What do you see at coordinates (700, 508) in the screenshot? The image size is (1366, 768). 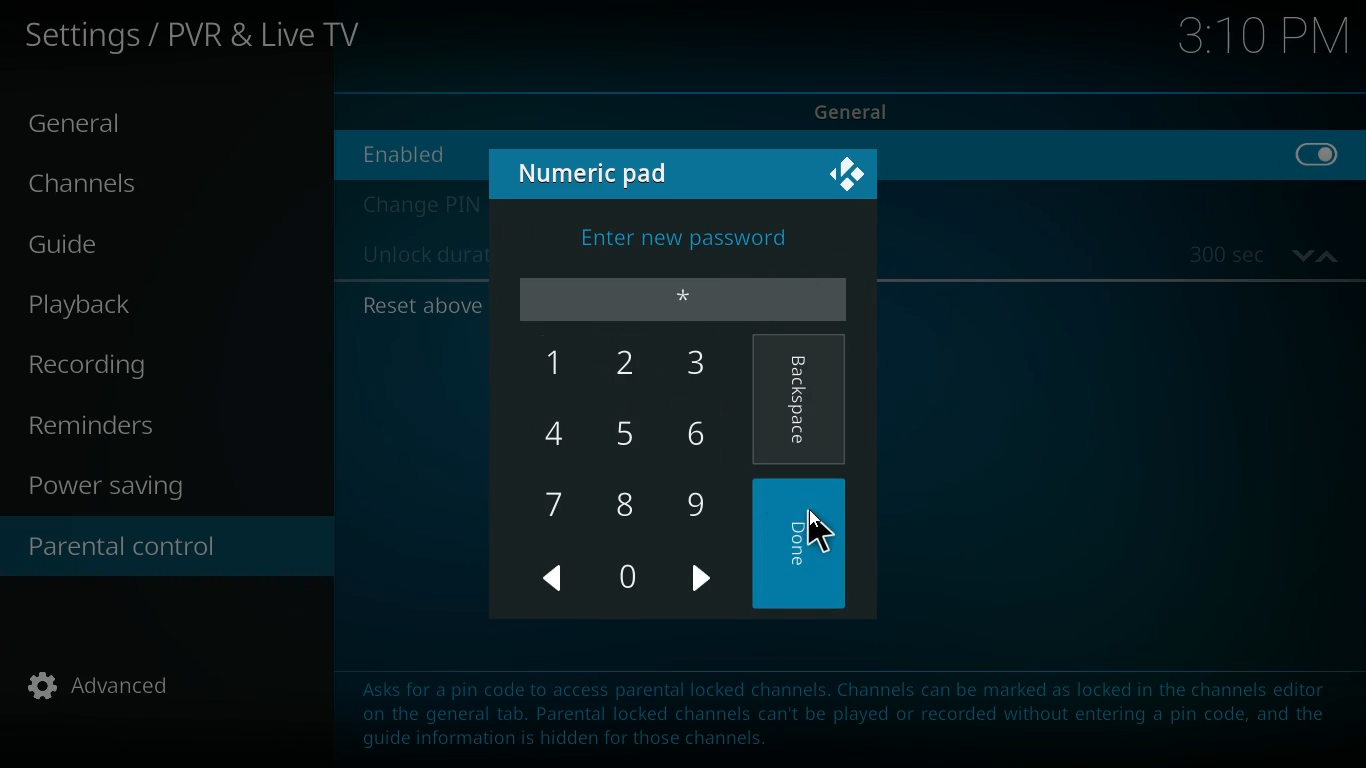 I see `9` at bounding box center [700, 508].